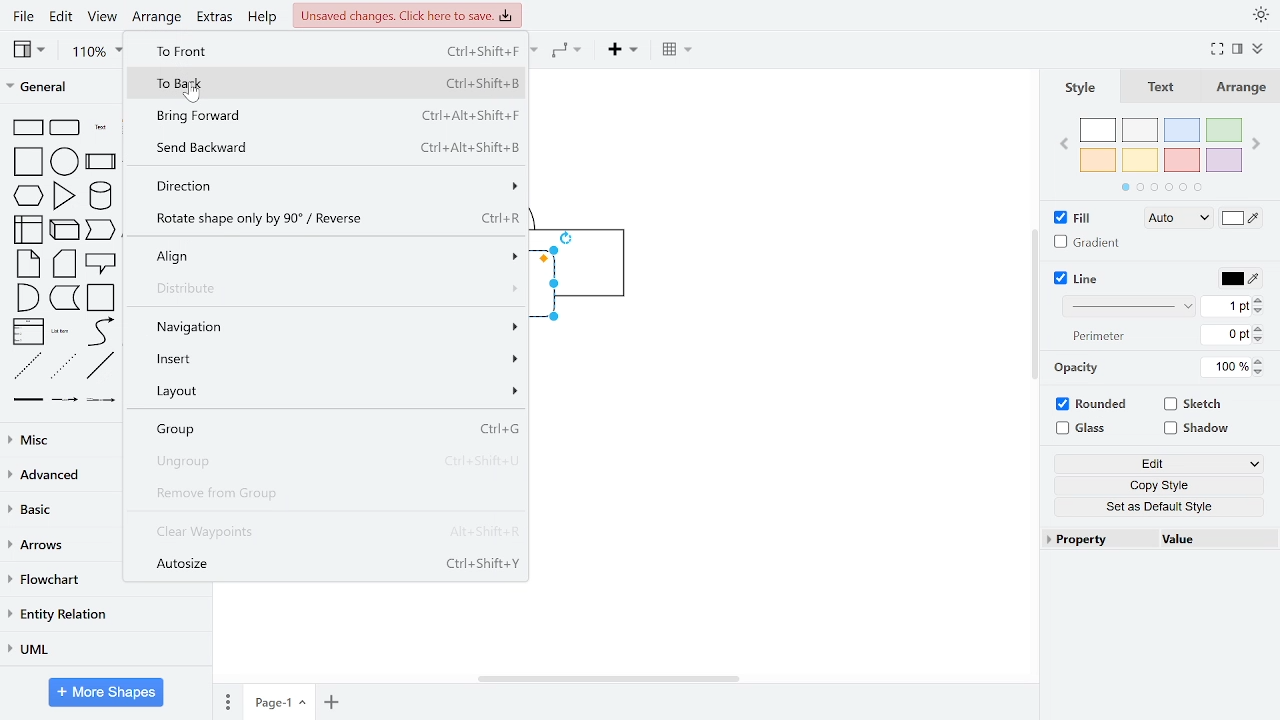  Describe the element at coordinates (102, 366) in the screenshot. I see `line` at that location.